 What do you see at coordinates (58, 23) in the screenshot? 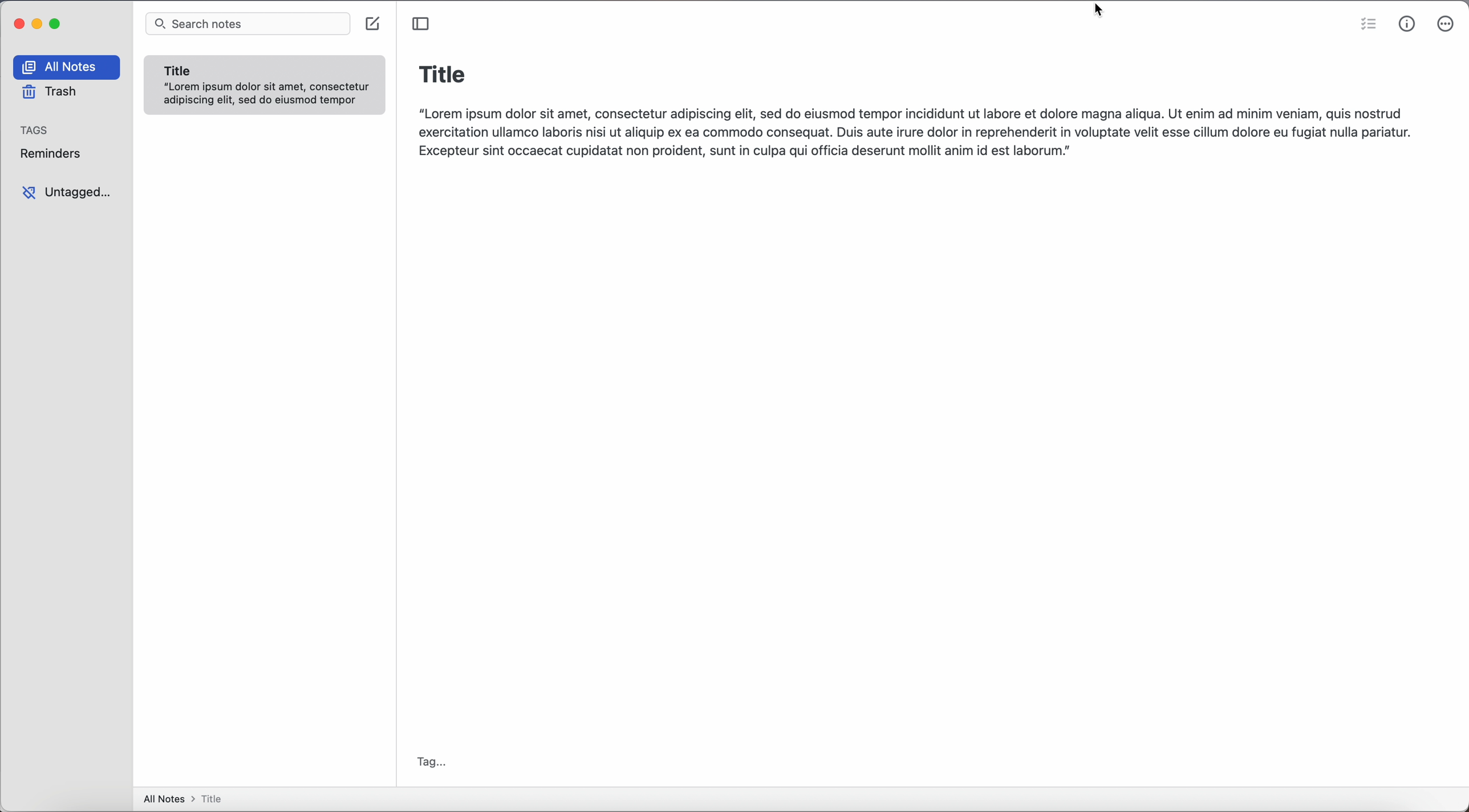
I see `maximize app` at bounding box center [58, 23].